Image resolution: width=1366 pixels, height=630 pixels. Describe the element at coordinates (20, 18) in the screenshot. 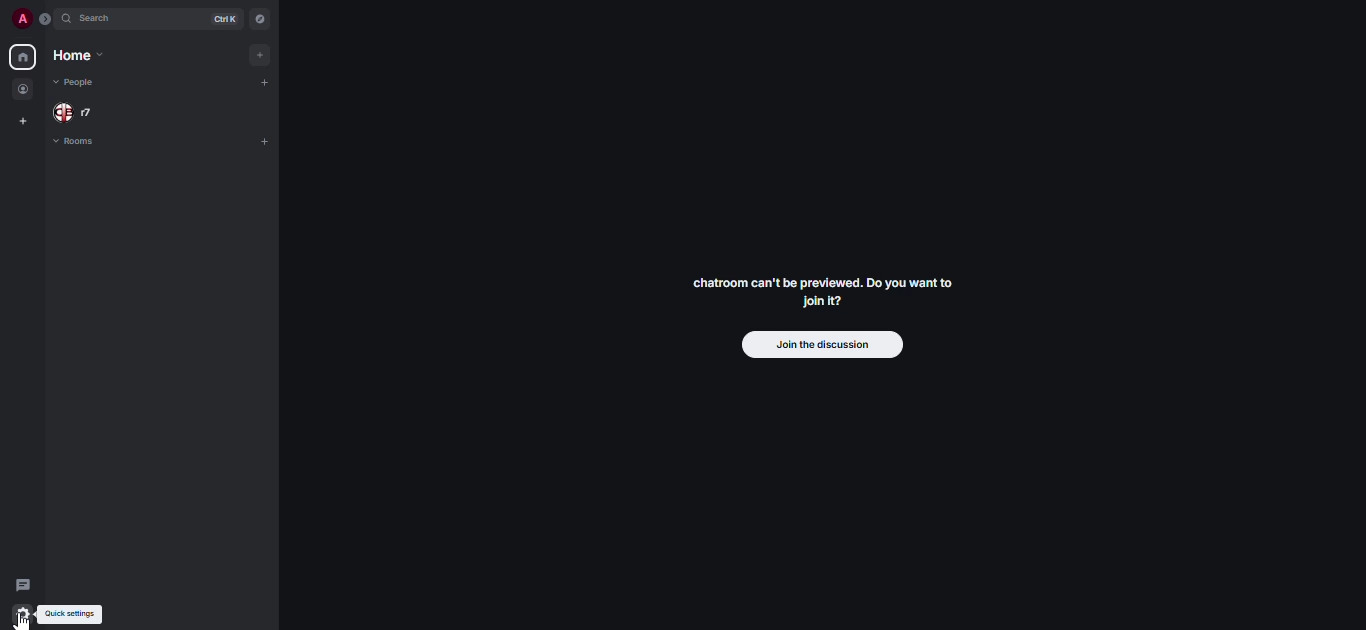

I see `profile` at that location.